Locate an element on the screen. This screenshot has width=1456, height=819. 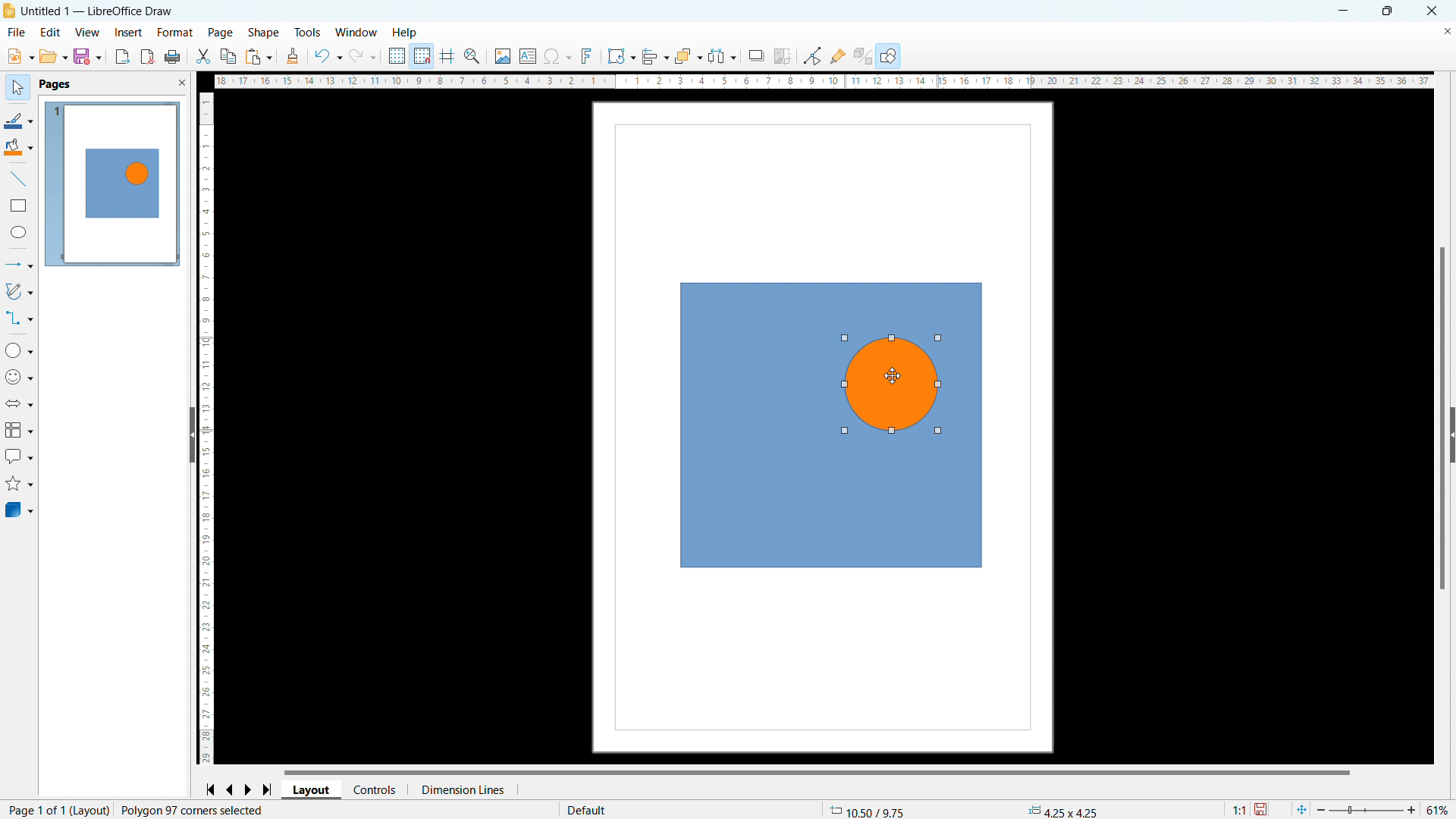
undo is located at coordinates (328, 55).